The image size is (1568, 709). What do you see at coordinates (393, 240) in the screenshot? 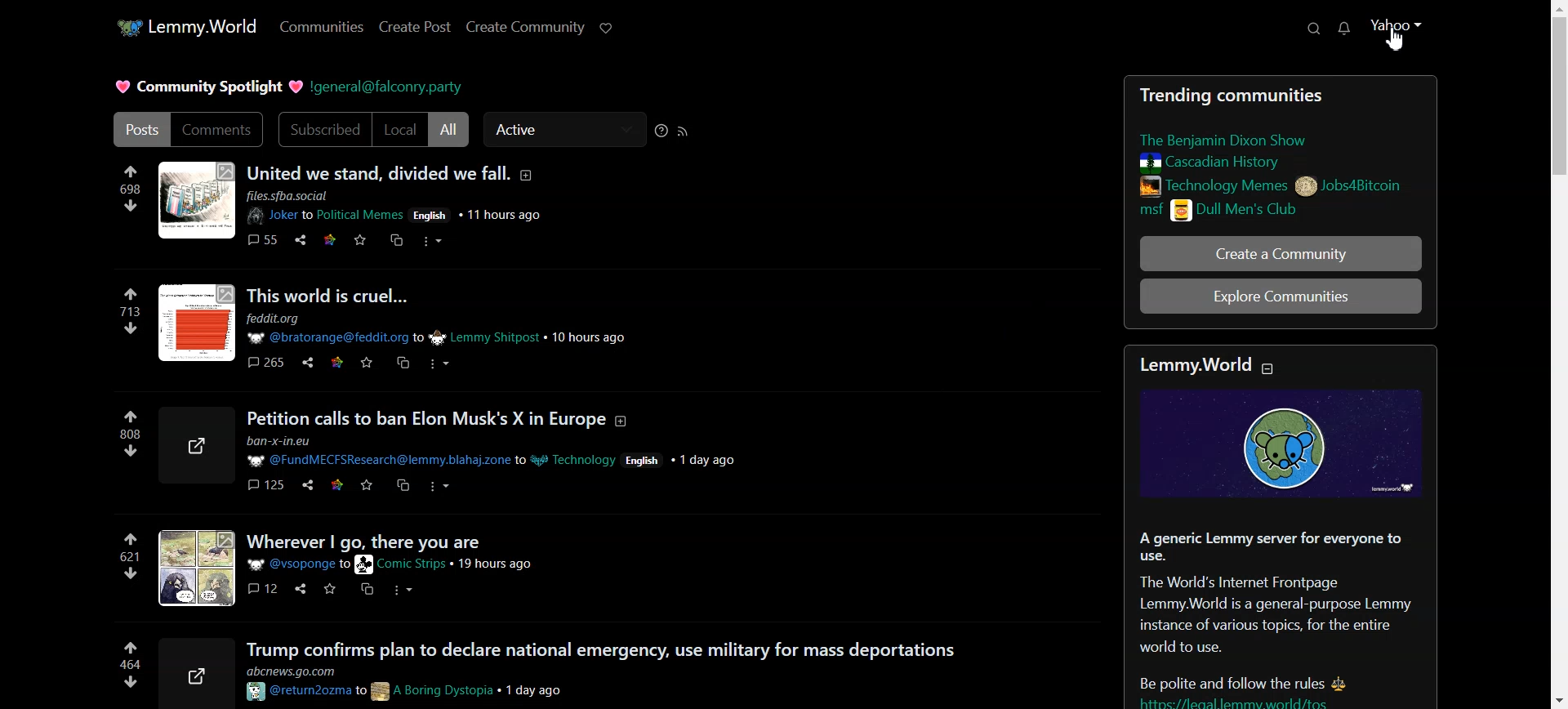
I see `link` at bounding box center [393, 240].